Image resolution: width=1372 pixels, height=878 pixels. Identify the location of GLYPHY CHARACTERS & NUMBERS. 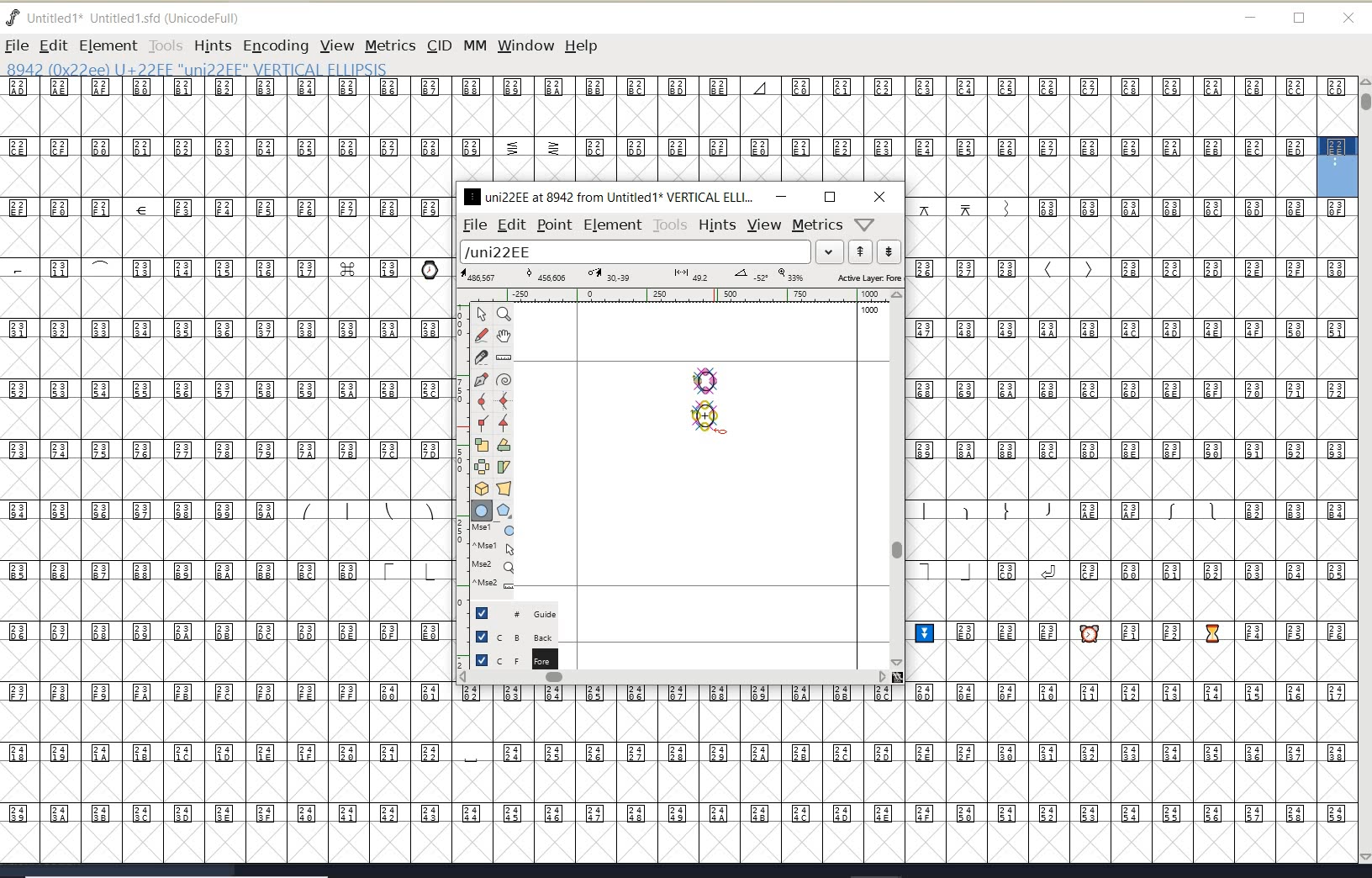
(455, 773).